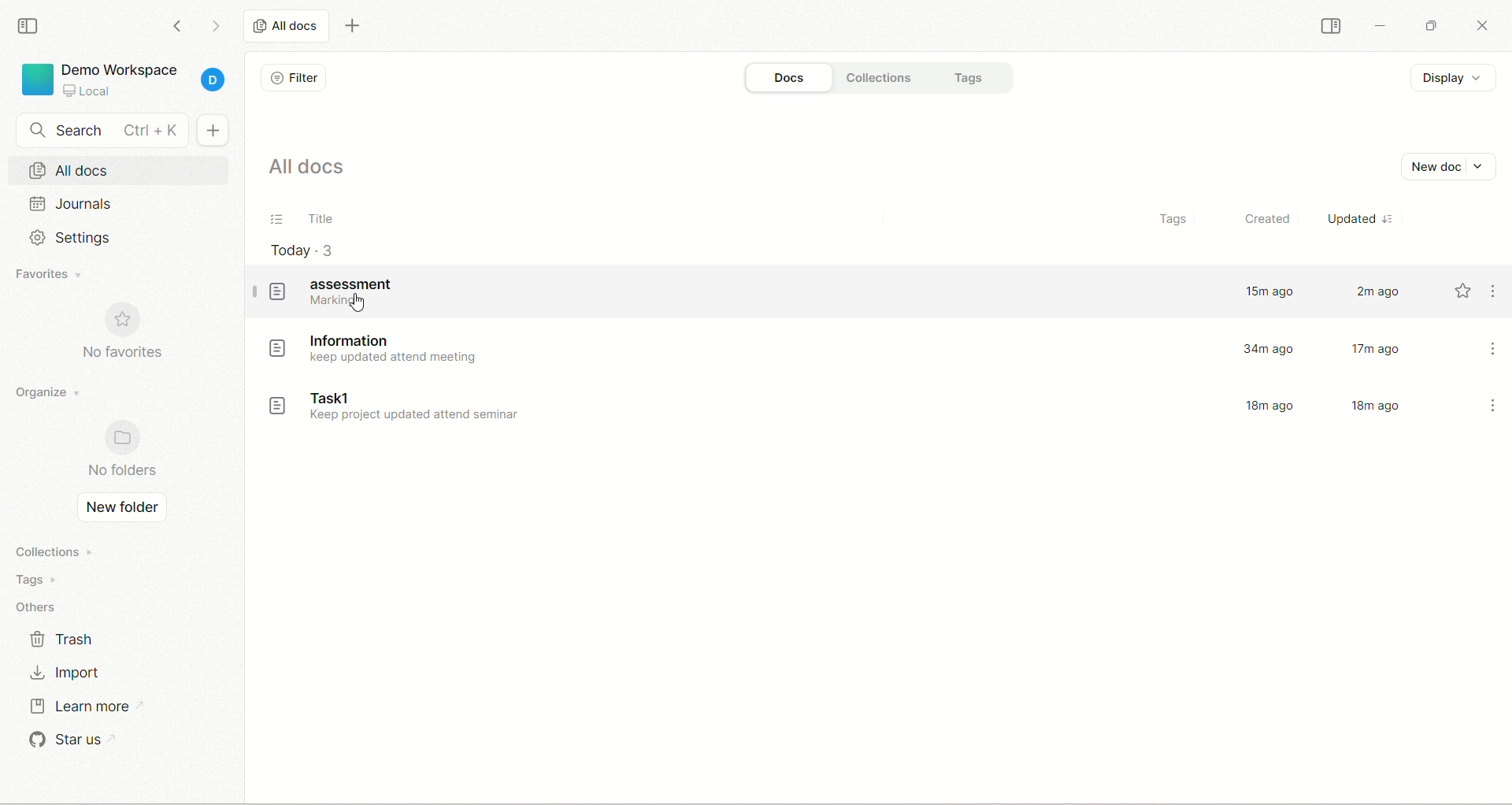  What do you see at coordinates (1264, 221) in the screenshot?
I see `created` at bounding box center [1264, 221].